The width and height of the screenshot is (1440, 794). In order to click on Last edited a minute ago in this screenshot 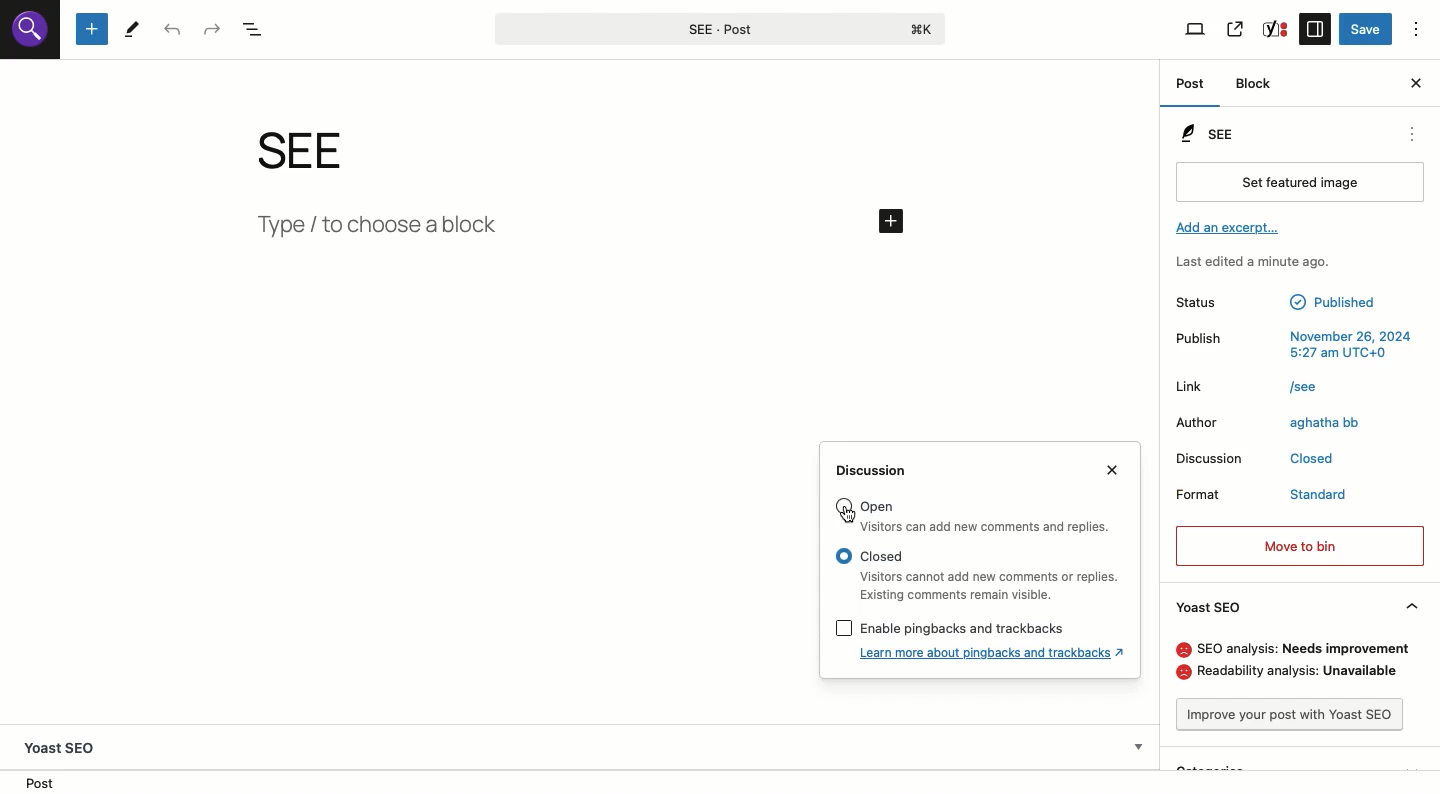, I will do `click(1264, 263)`.